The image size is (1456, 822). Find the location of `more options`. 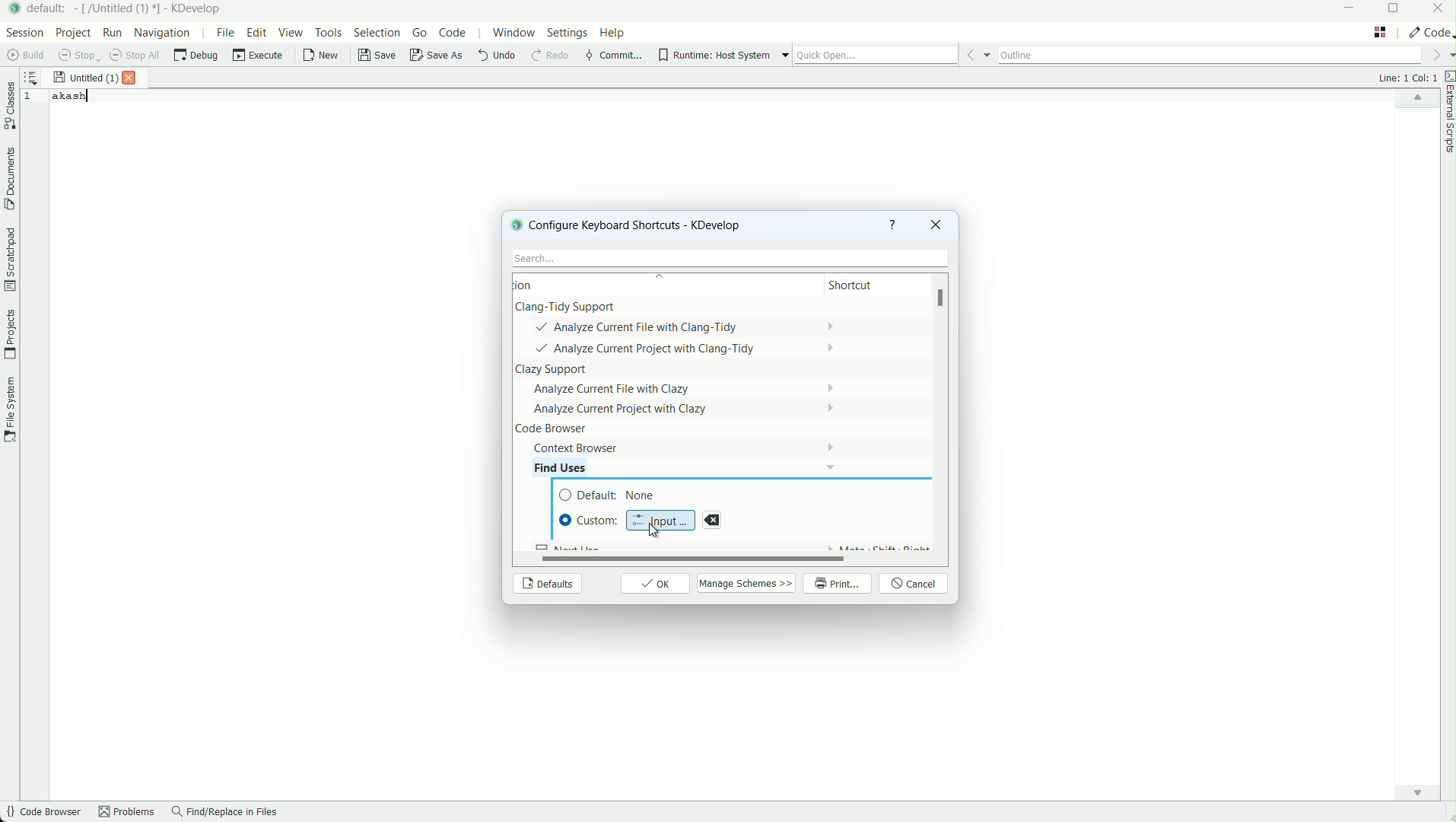

more options is located at coordinates (785, 56).